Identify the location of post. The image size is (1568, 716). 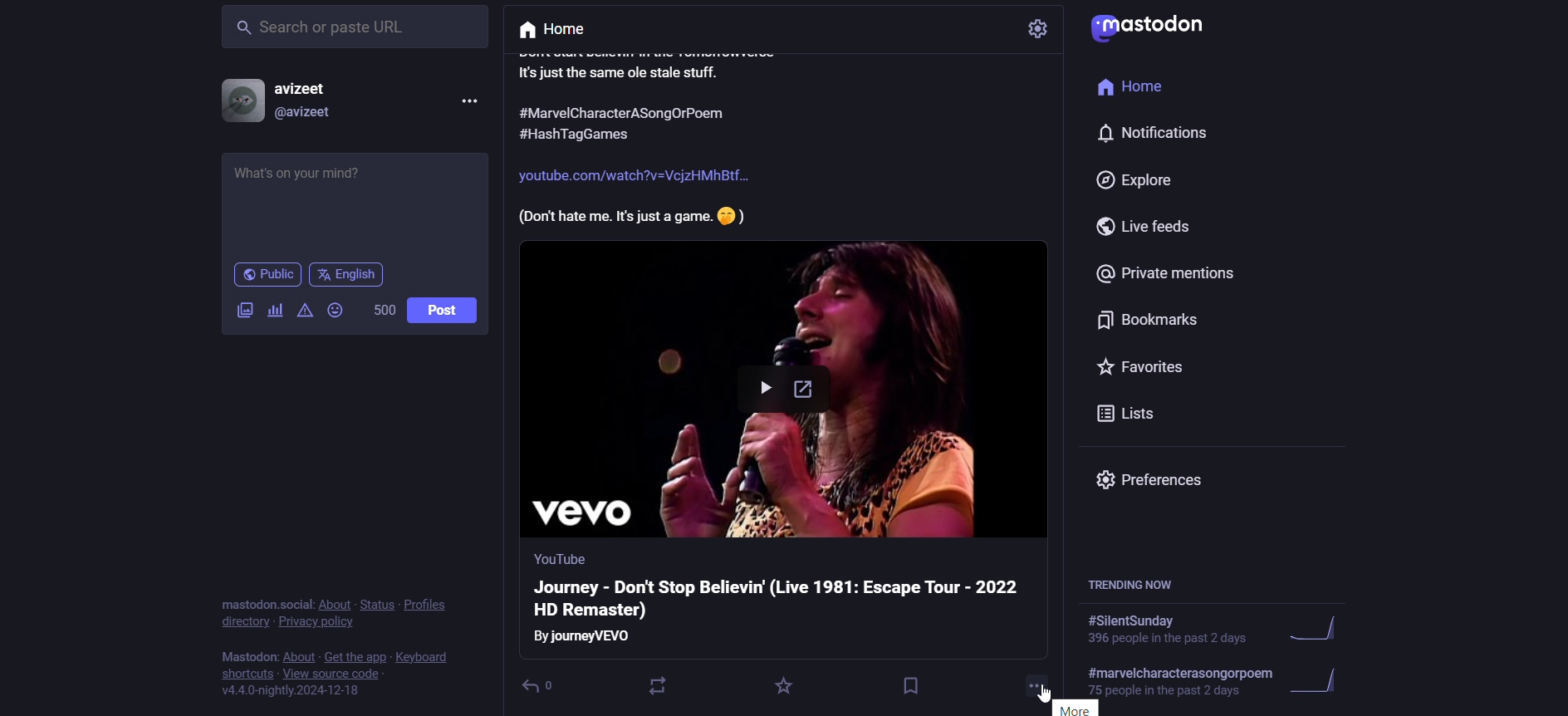
(446, 312).